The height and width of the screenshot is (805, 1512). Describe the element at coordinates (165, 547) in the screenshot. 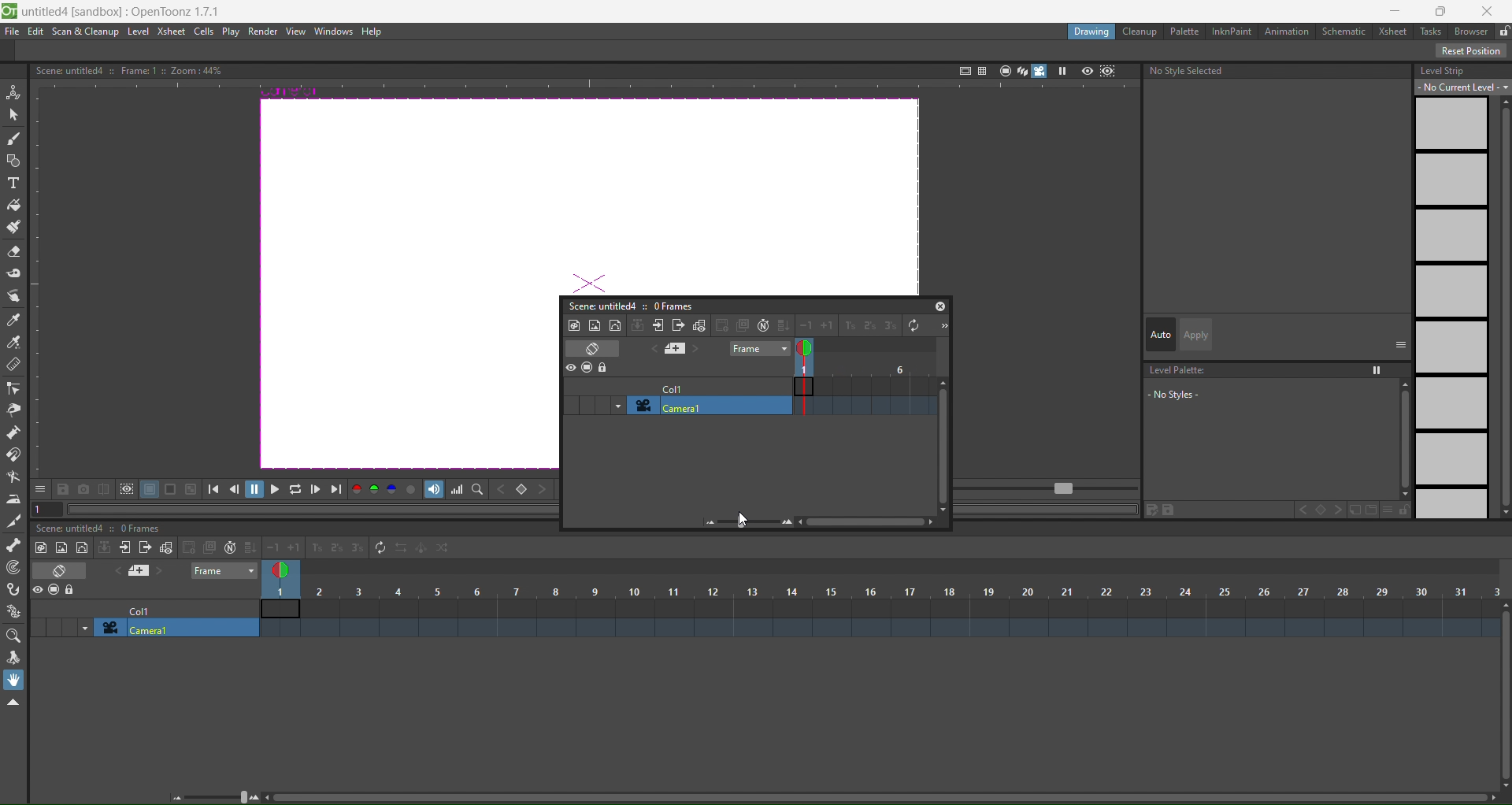

I see `toggle edit in place` at that location.